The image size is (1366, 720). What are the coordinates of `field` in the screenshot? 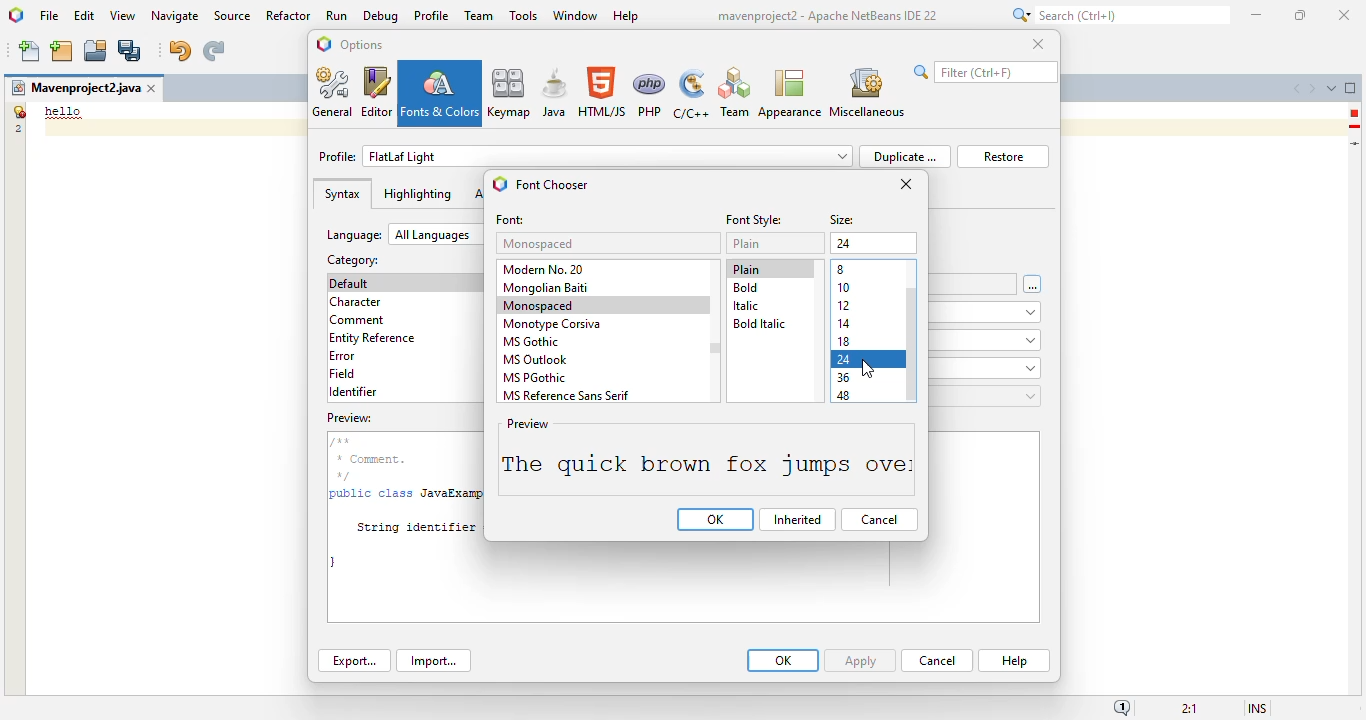 It's located at (342, 373).